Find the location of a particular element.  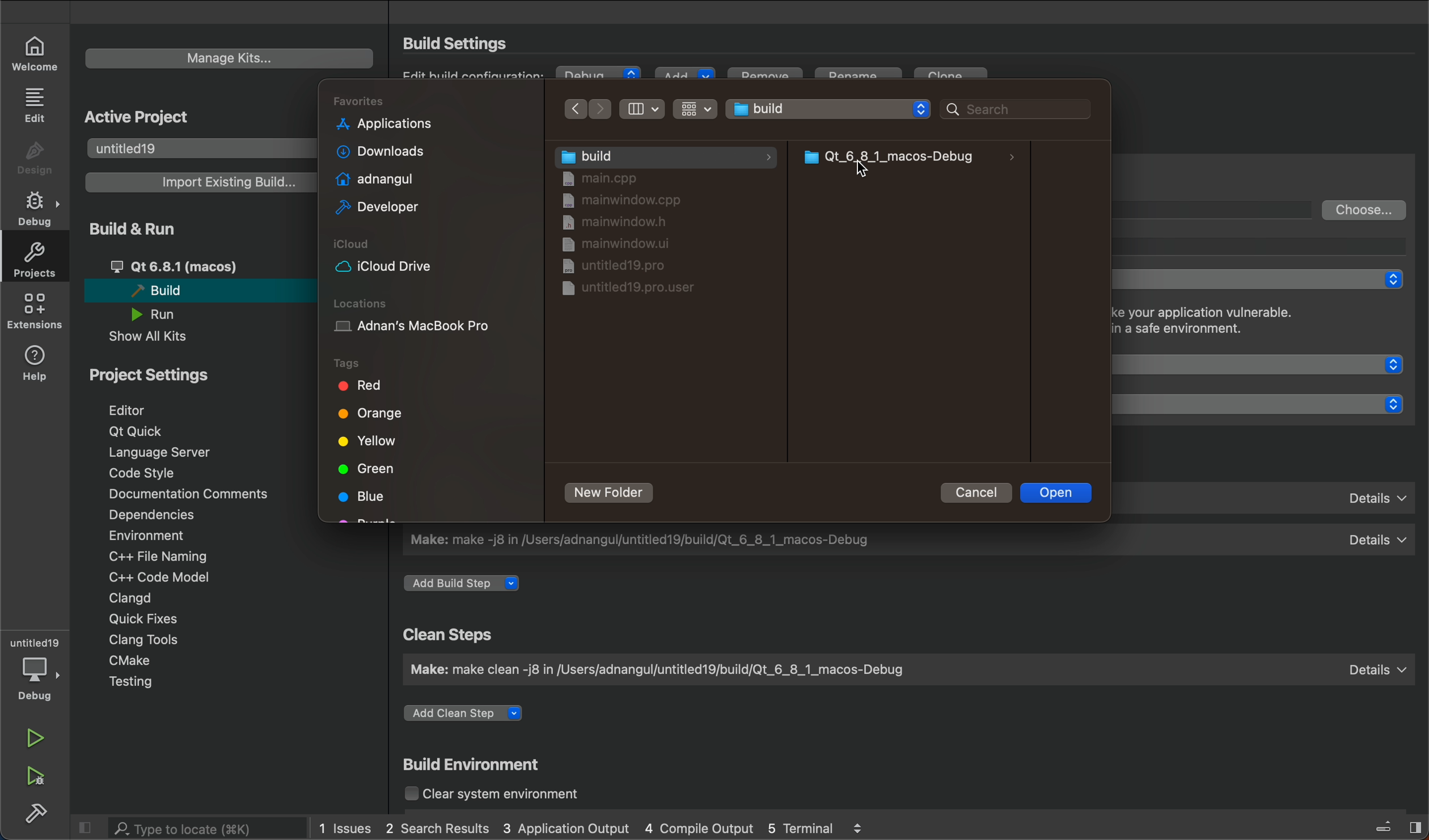

close side bar is located at coordinates (1387, 825).